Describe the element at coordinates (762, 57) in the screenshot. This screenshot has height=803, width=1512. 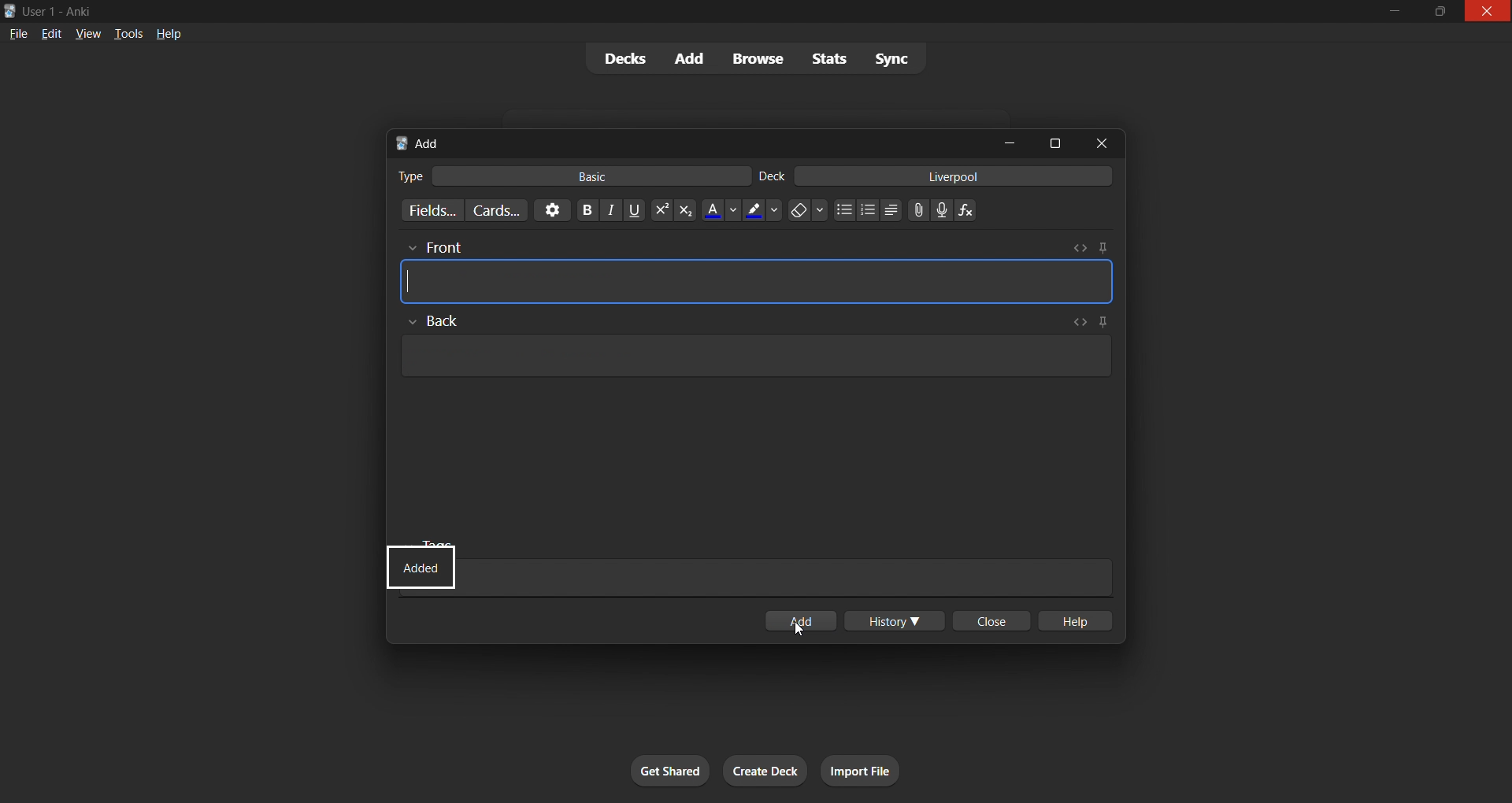
I see `browse` at that location.